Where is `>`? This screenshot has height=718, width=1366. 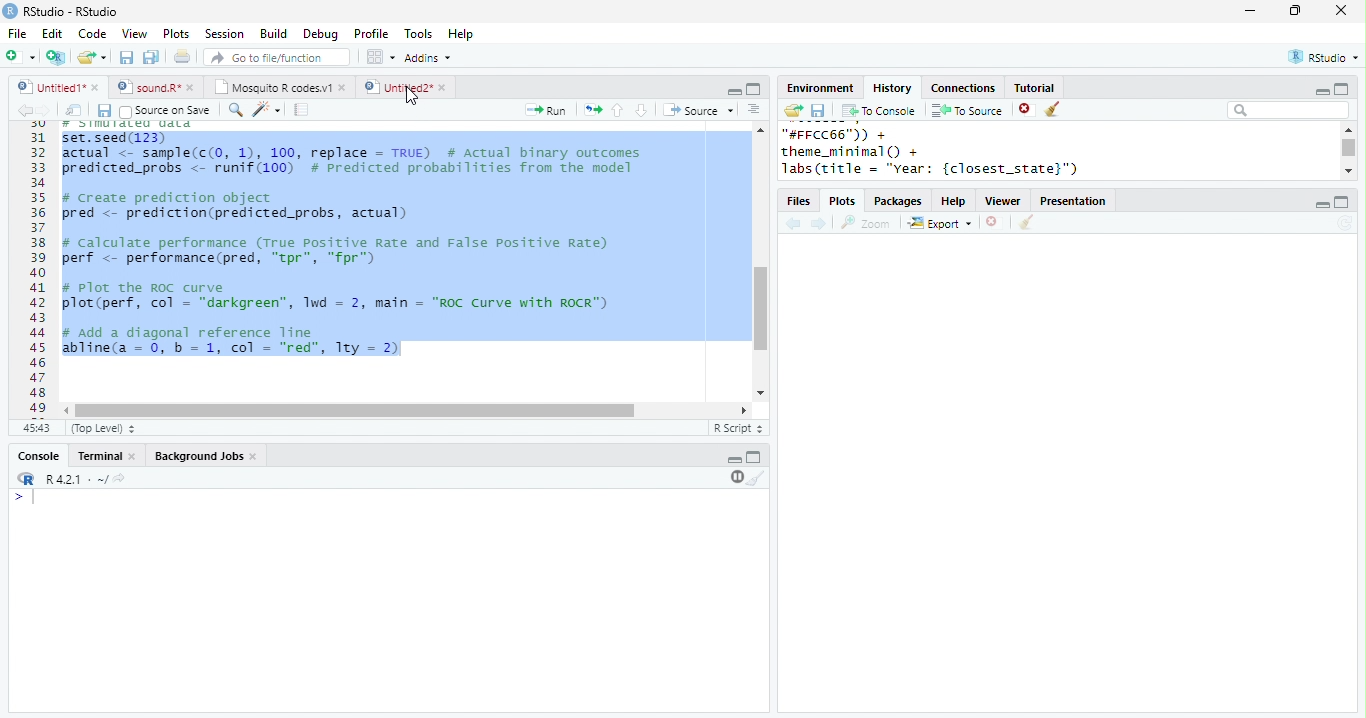
> is located at coordinates (27, 497).